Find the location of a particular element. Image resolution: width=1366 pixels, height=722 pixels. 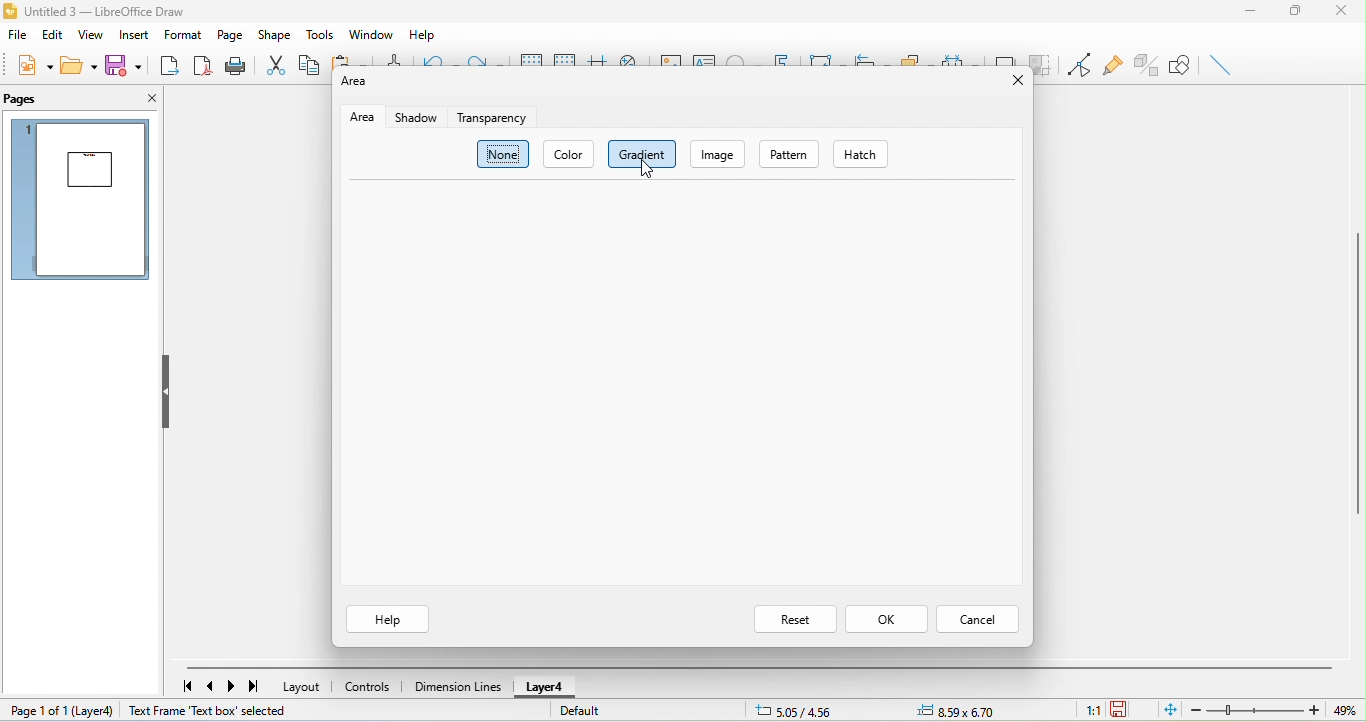

layer 4 is located at coordinates (97, 711).